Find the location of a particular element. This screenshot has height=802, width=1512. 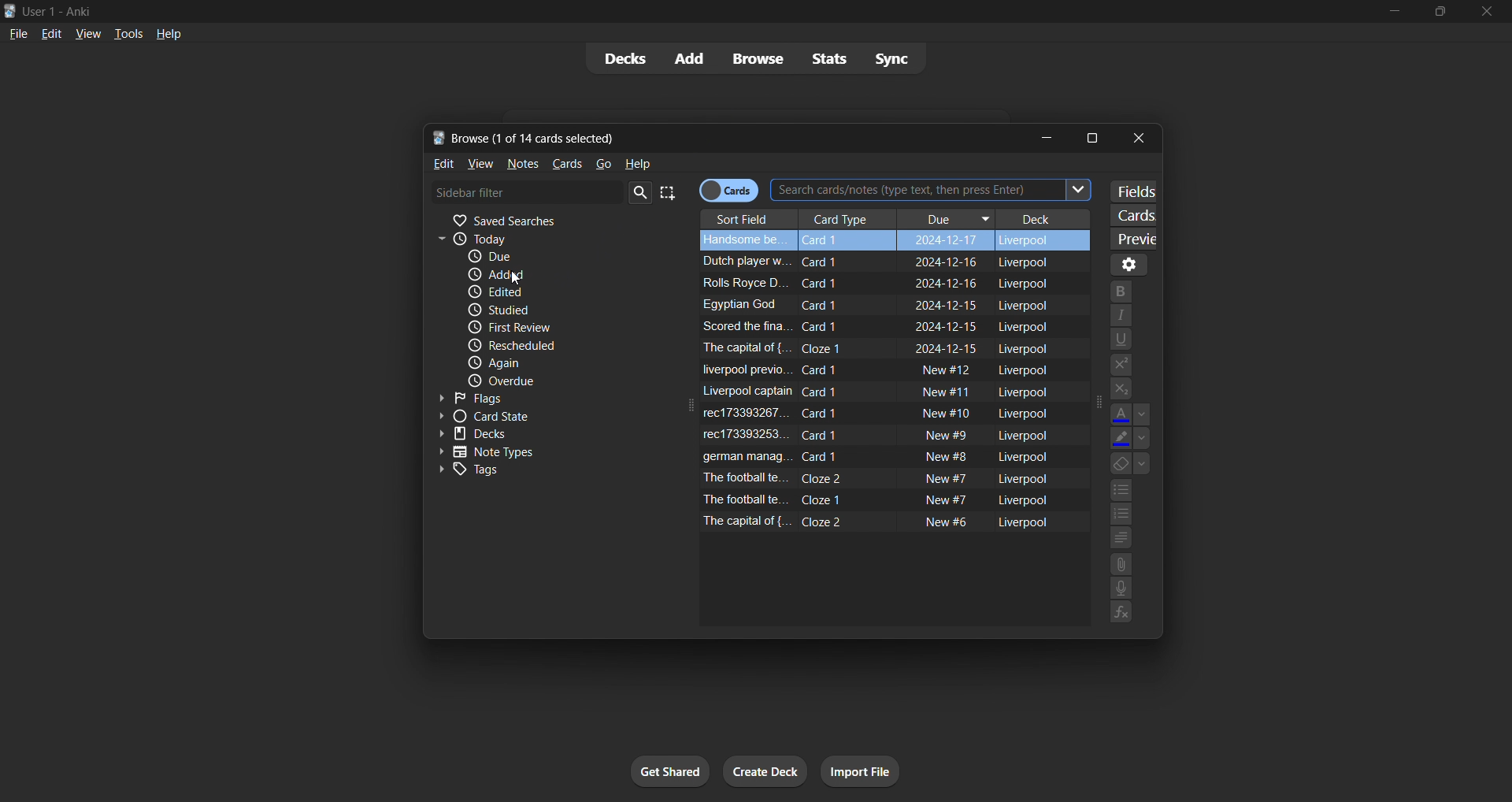

card text styling is located at coordinates (1128, 452).